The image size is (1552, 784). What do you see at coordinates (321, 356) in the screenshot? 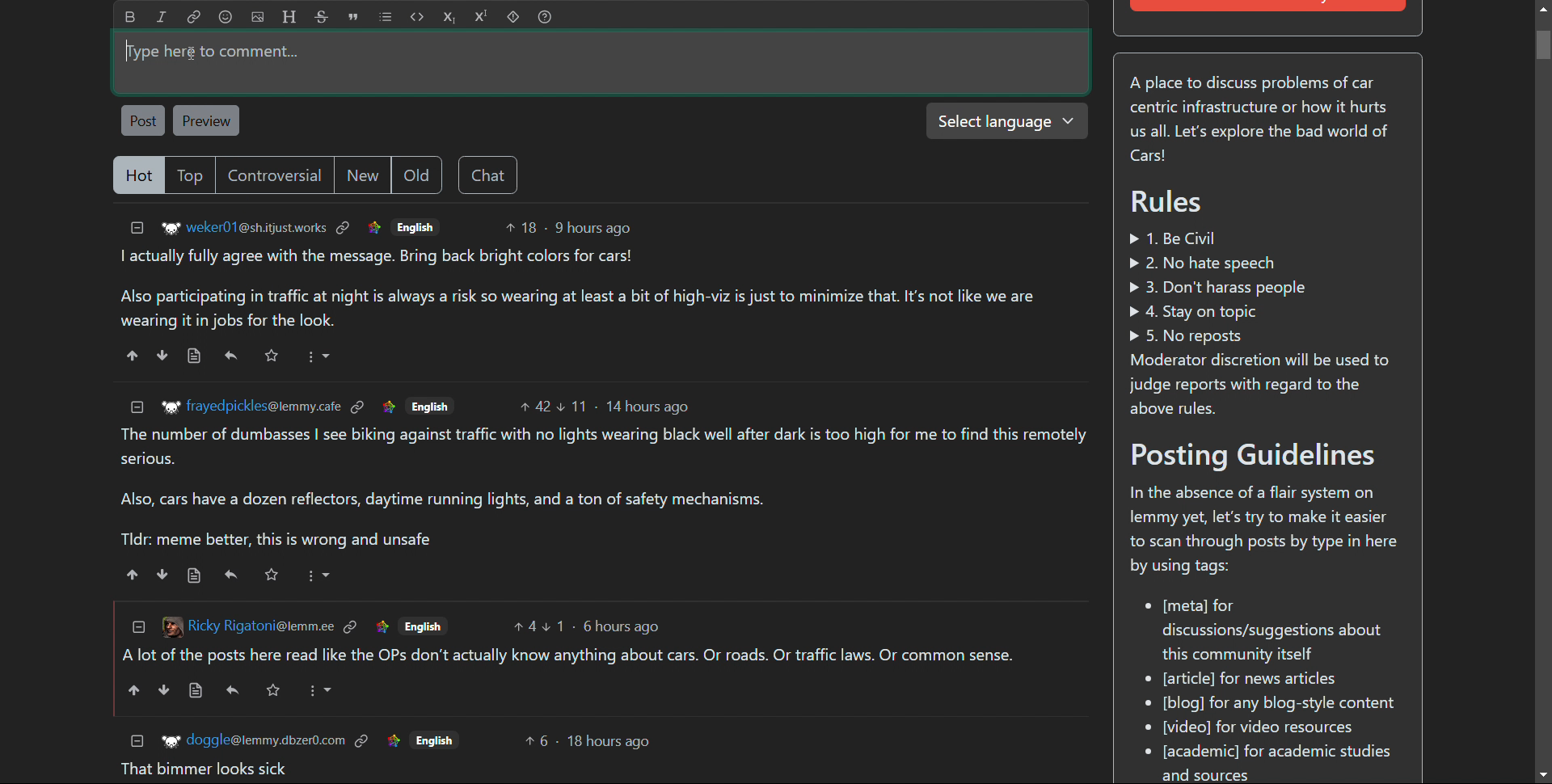
I see `More` at bounding box center [321, 356].